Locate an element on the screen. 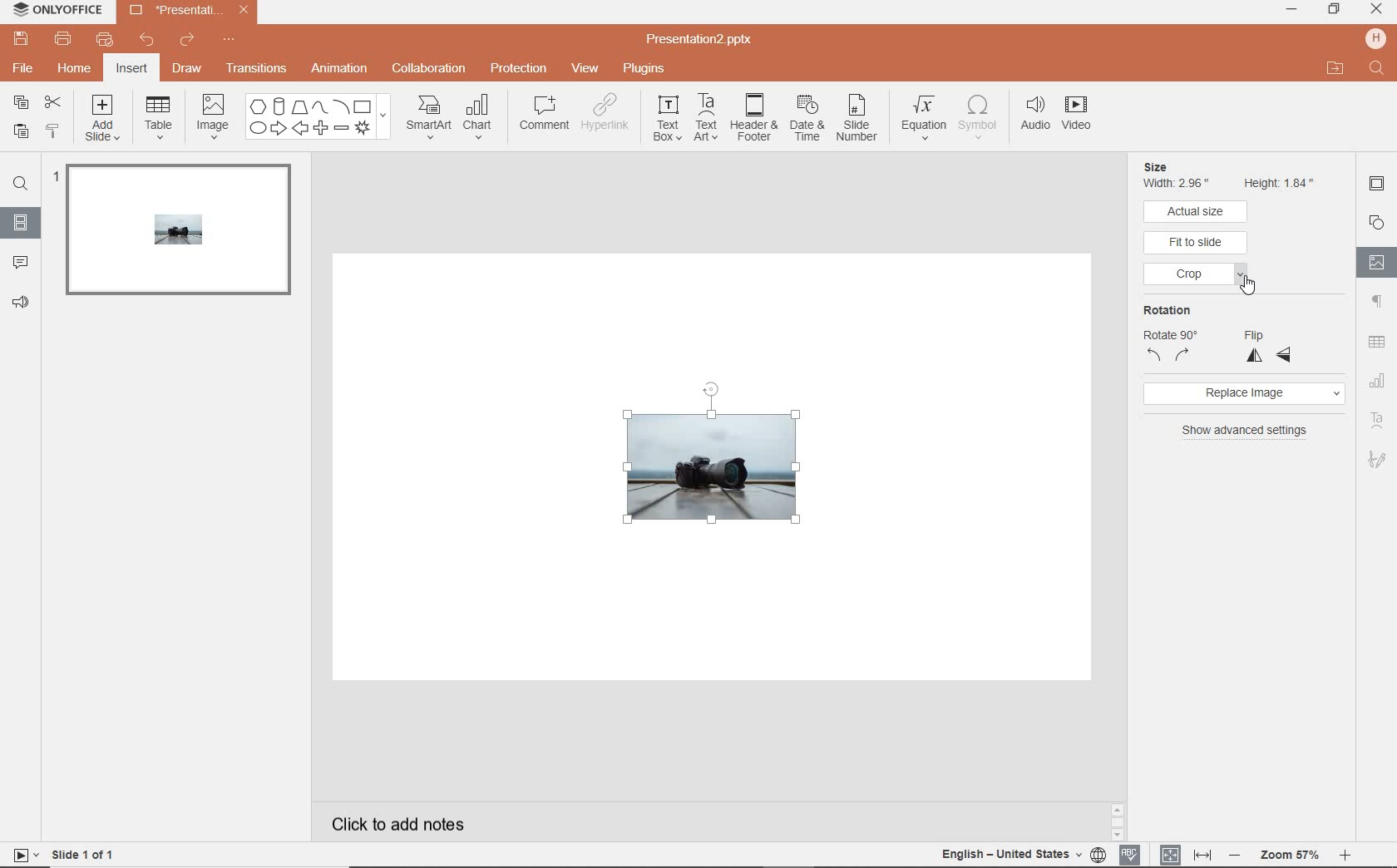 This screenshot has width=1397, height=868. scrollbar is located at coordinates (1121, 821).